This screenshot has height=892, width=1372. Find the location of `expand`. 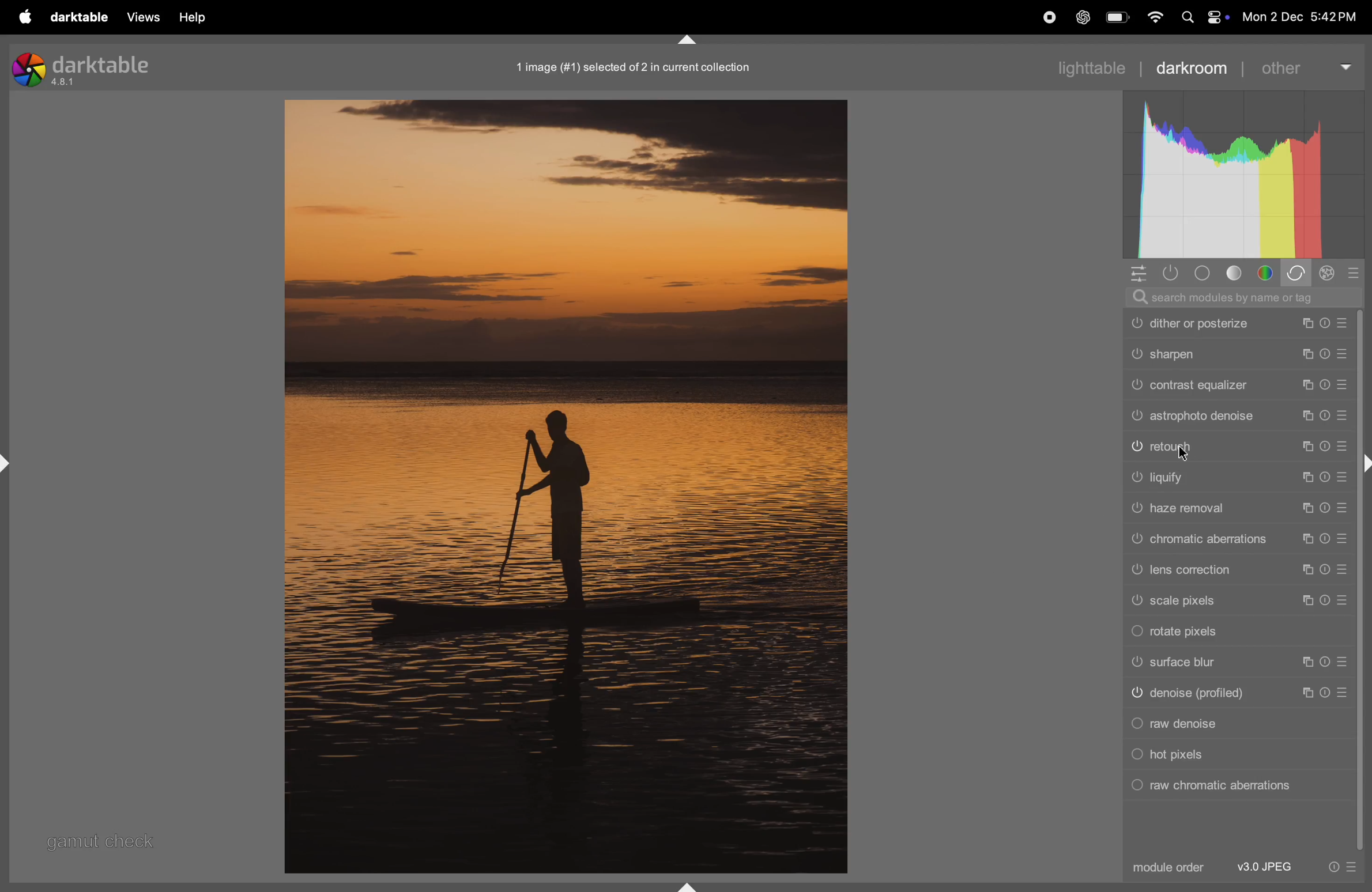

expand is located at coordinates (13, 462).